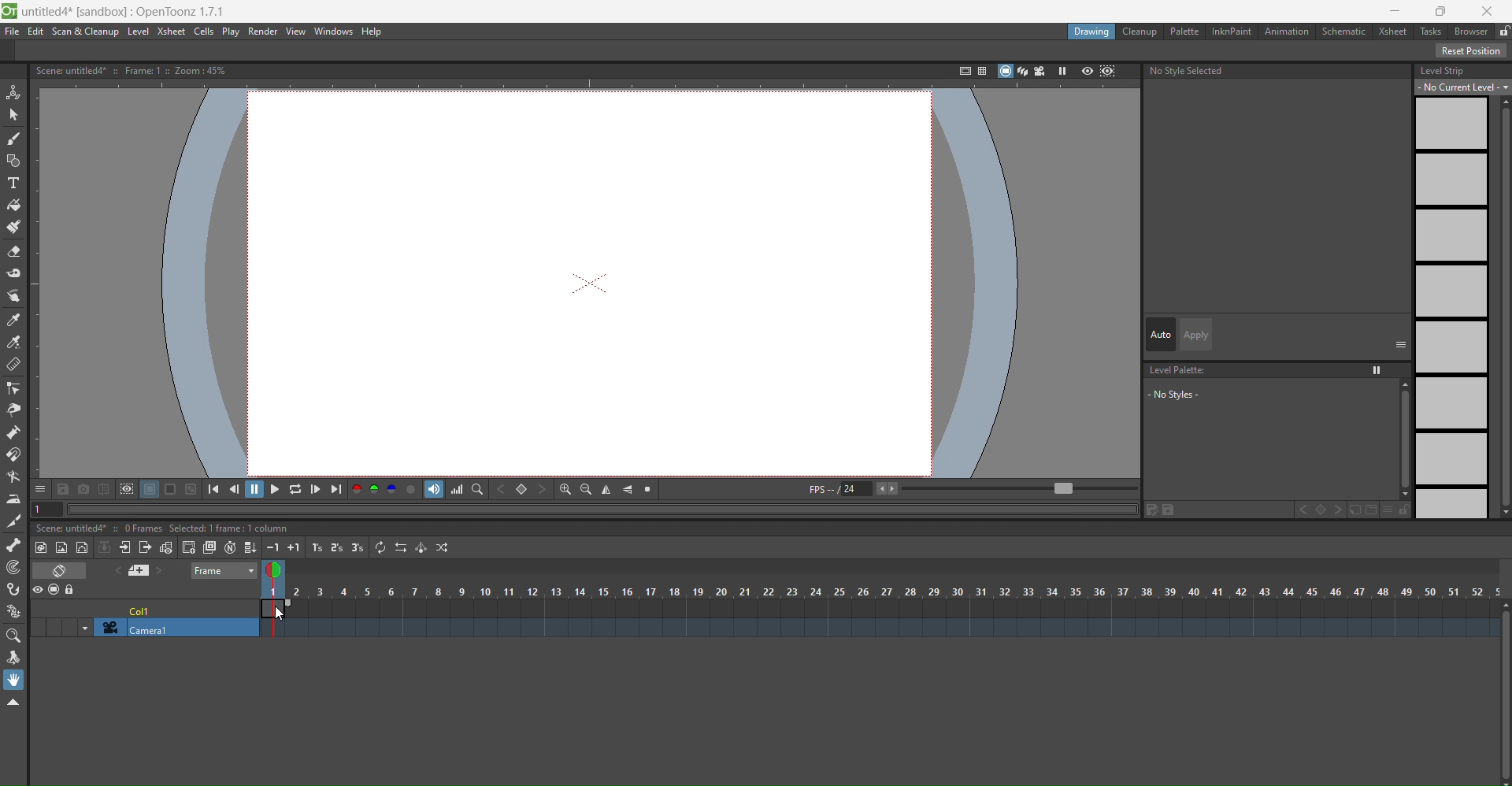  Describe the element at coordinates (15, 321) in the screenshot. I see `style picker` at that location.